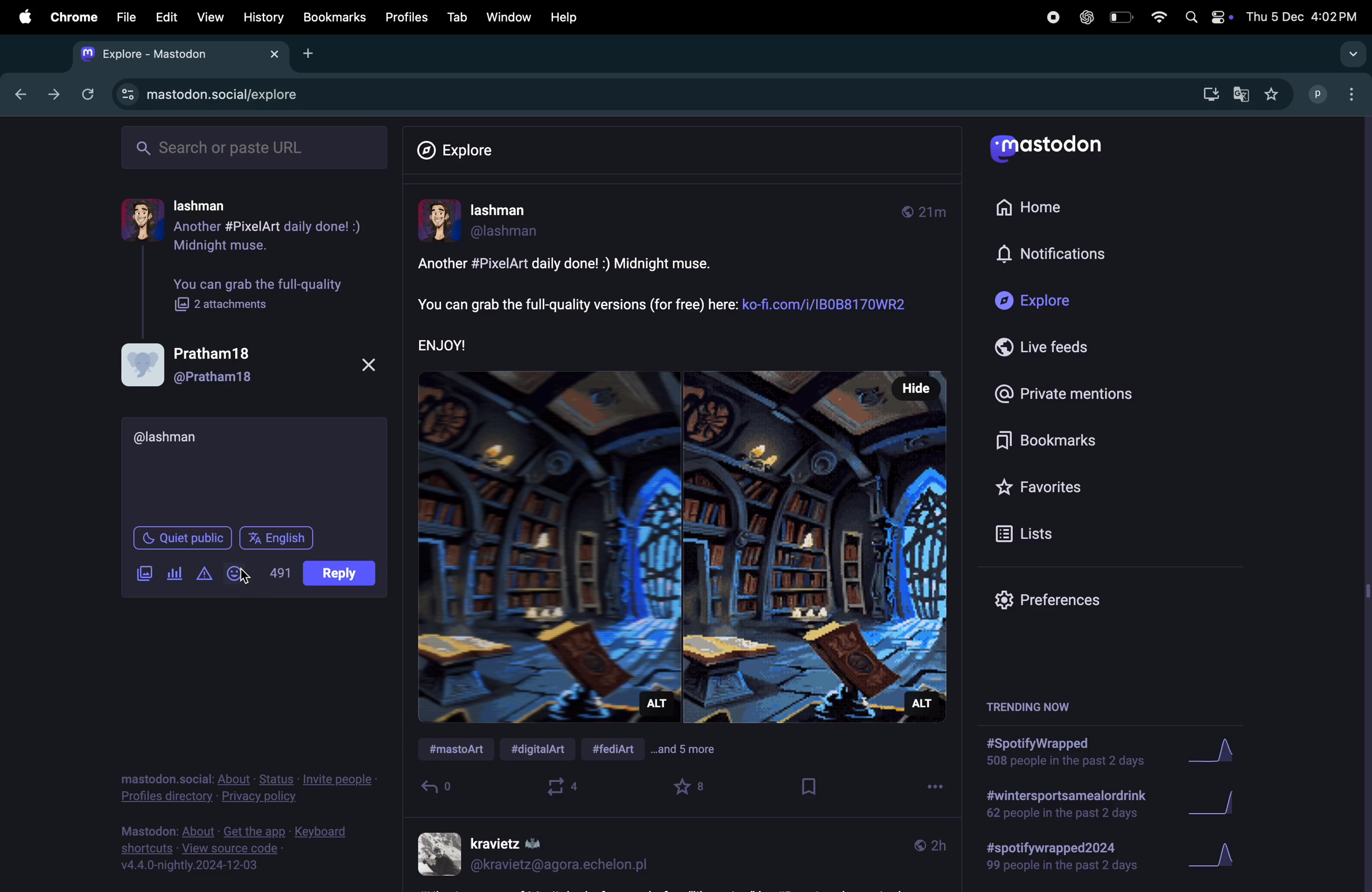  I want to click on forward, so click(52, 95).